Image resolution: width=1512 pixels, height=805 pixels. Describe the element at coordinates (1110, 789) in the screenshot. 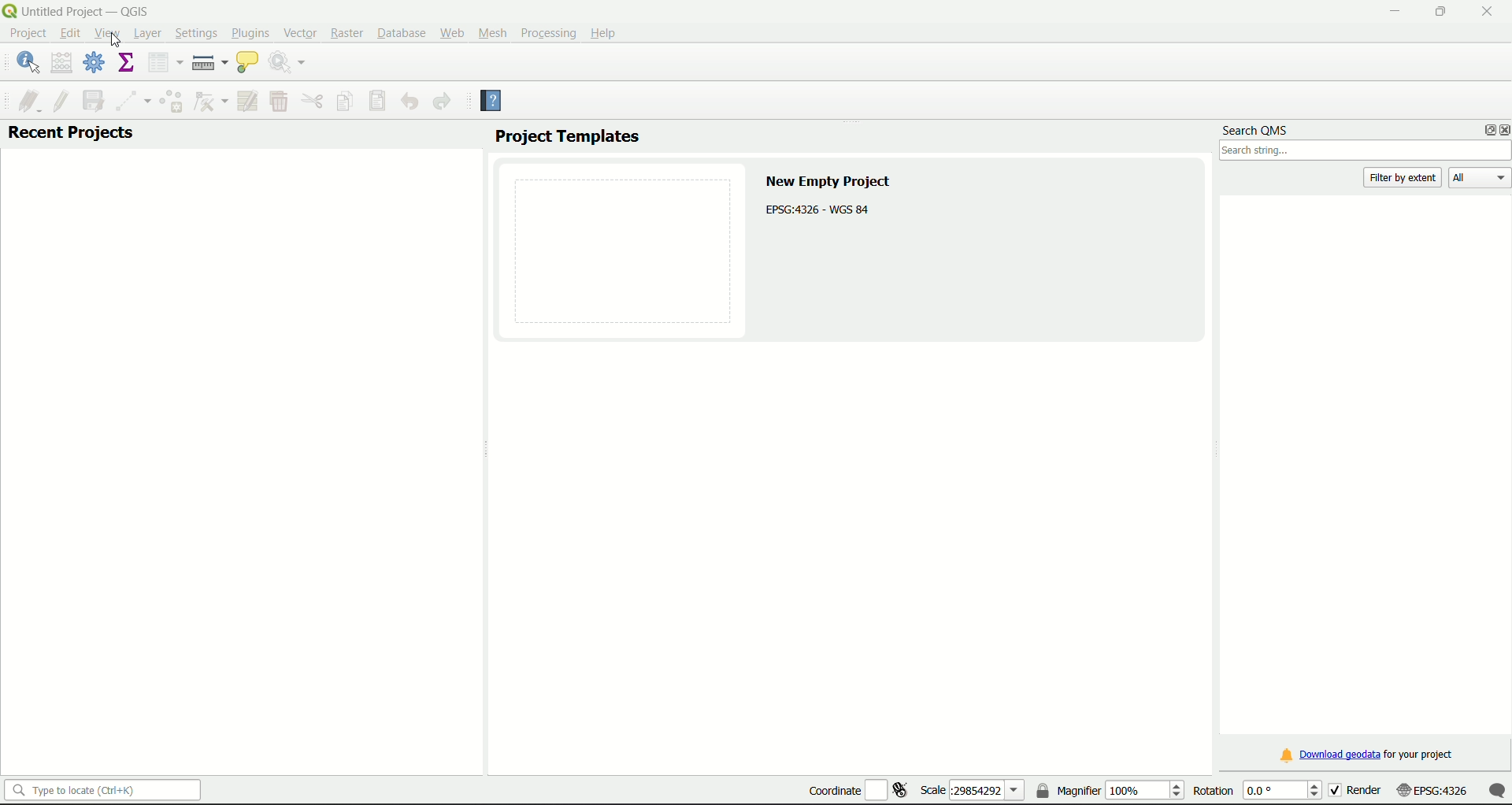

I see `magnifier` at that location.